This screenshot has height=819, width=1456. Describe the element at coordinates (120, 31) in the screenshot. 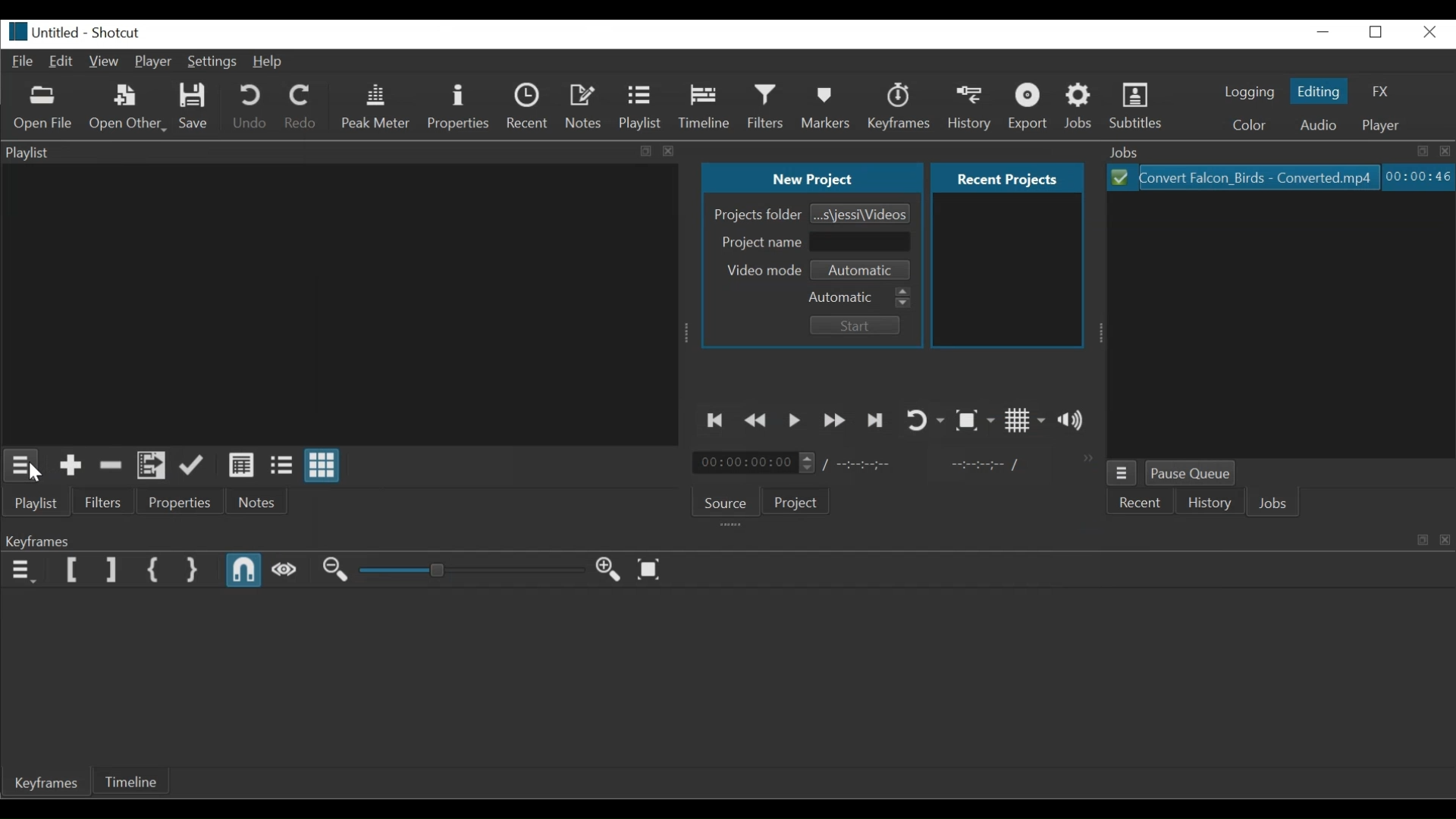

I see `Shotcut` at that location.